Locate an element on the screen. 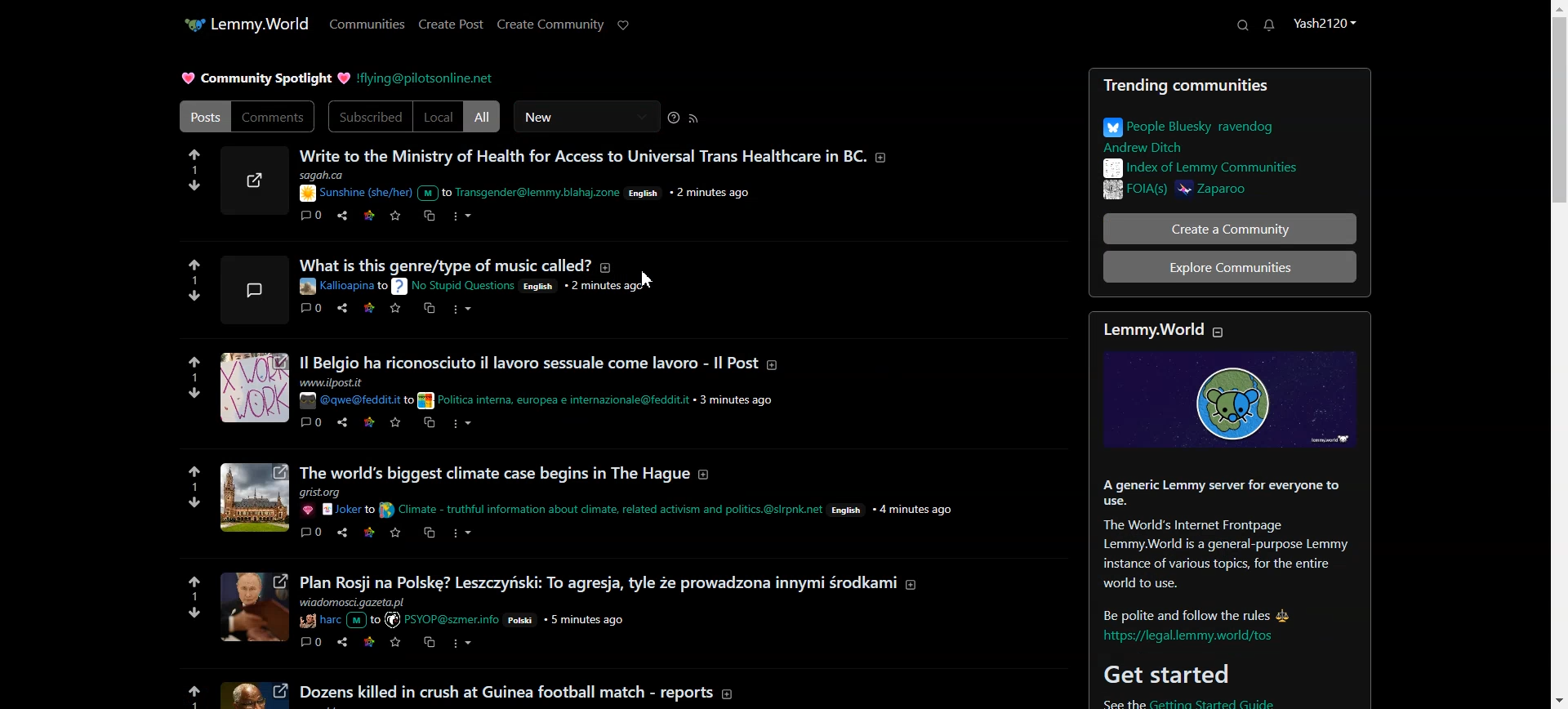   is located at coordinates (599, 583).